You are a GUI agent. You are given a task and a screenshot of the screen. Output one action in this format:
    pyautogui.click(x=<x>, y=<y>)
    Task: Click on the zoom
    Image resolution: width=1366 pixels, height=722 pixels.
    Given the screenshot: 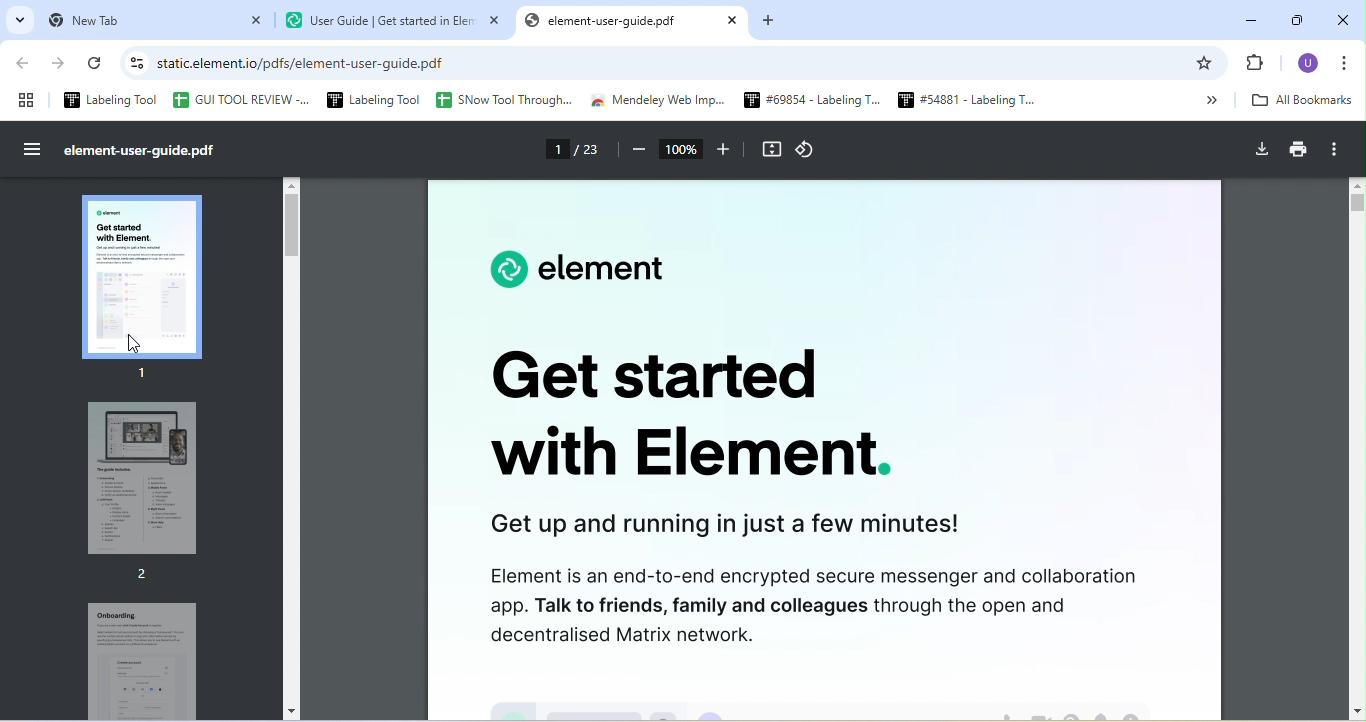 What is the action you would take?
    pyautogui.click(x=683, y=151)
    